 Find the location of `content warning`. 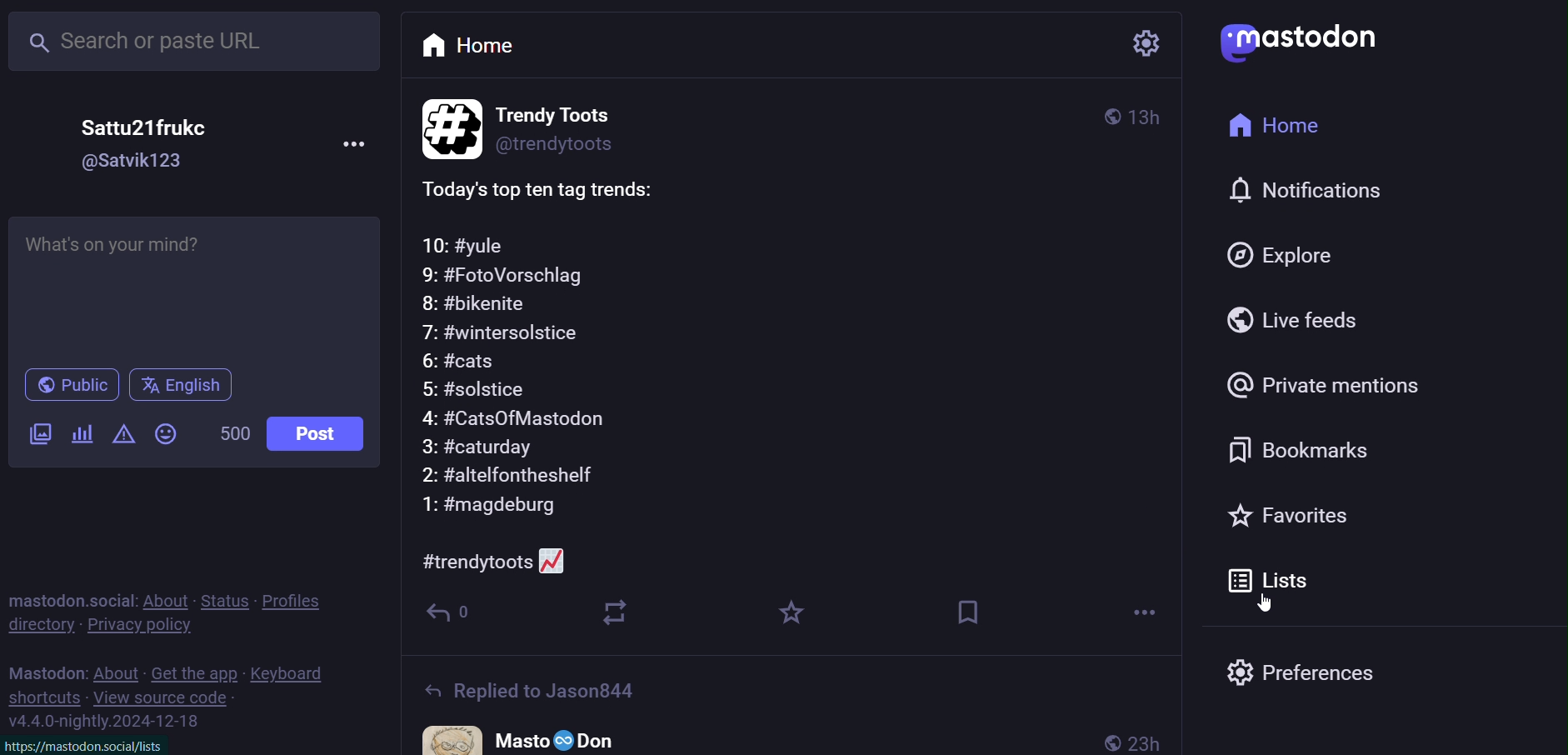

content warning is located at coordinates (124, 437).